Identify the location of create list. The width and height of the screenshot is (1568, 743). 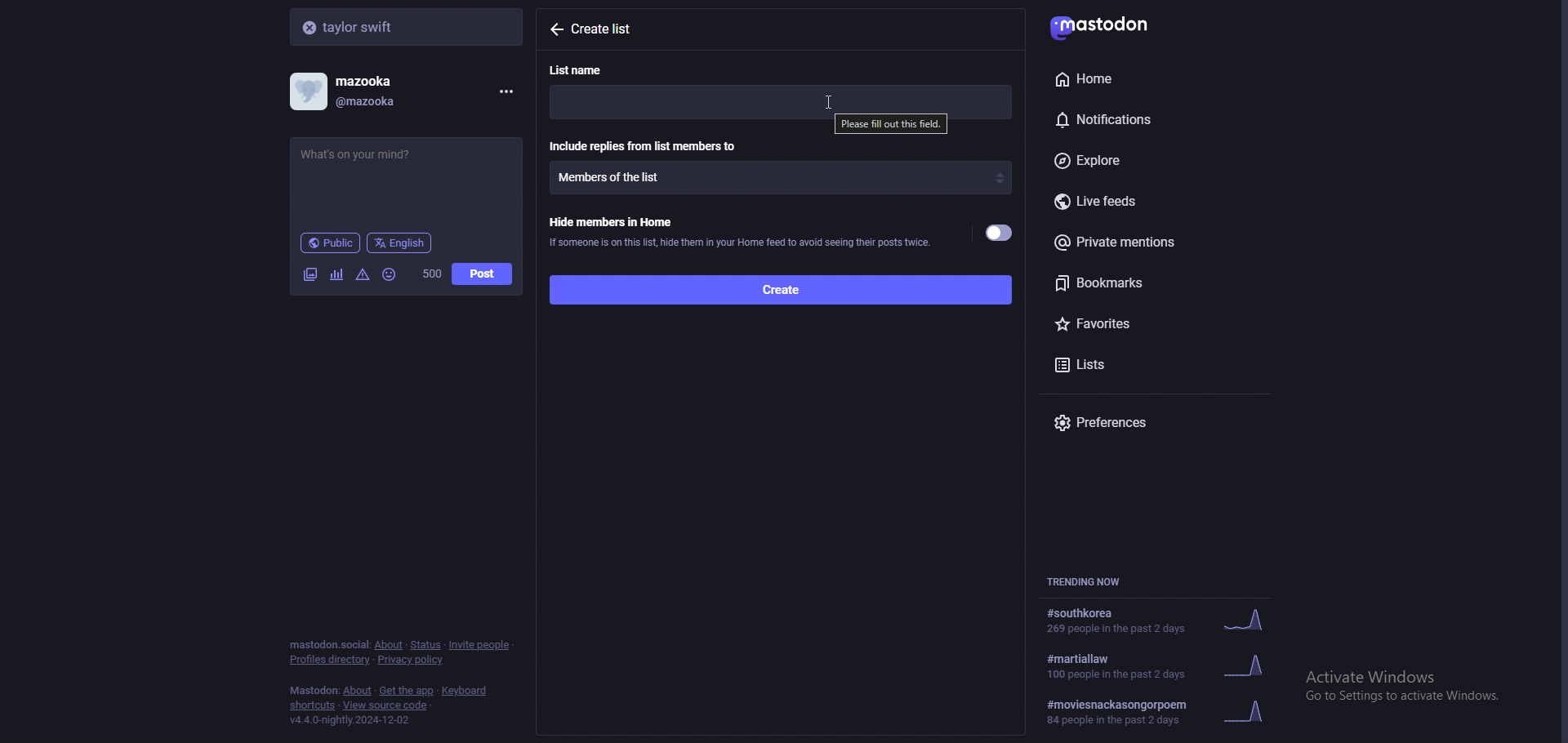
(612, 29).